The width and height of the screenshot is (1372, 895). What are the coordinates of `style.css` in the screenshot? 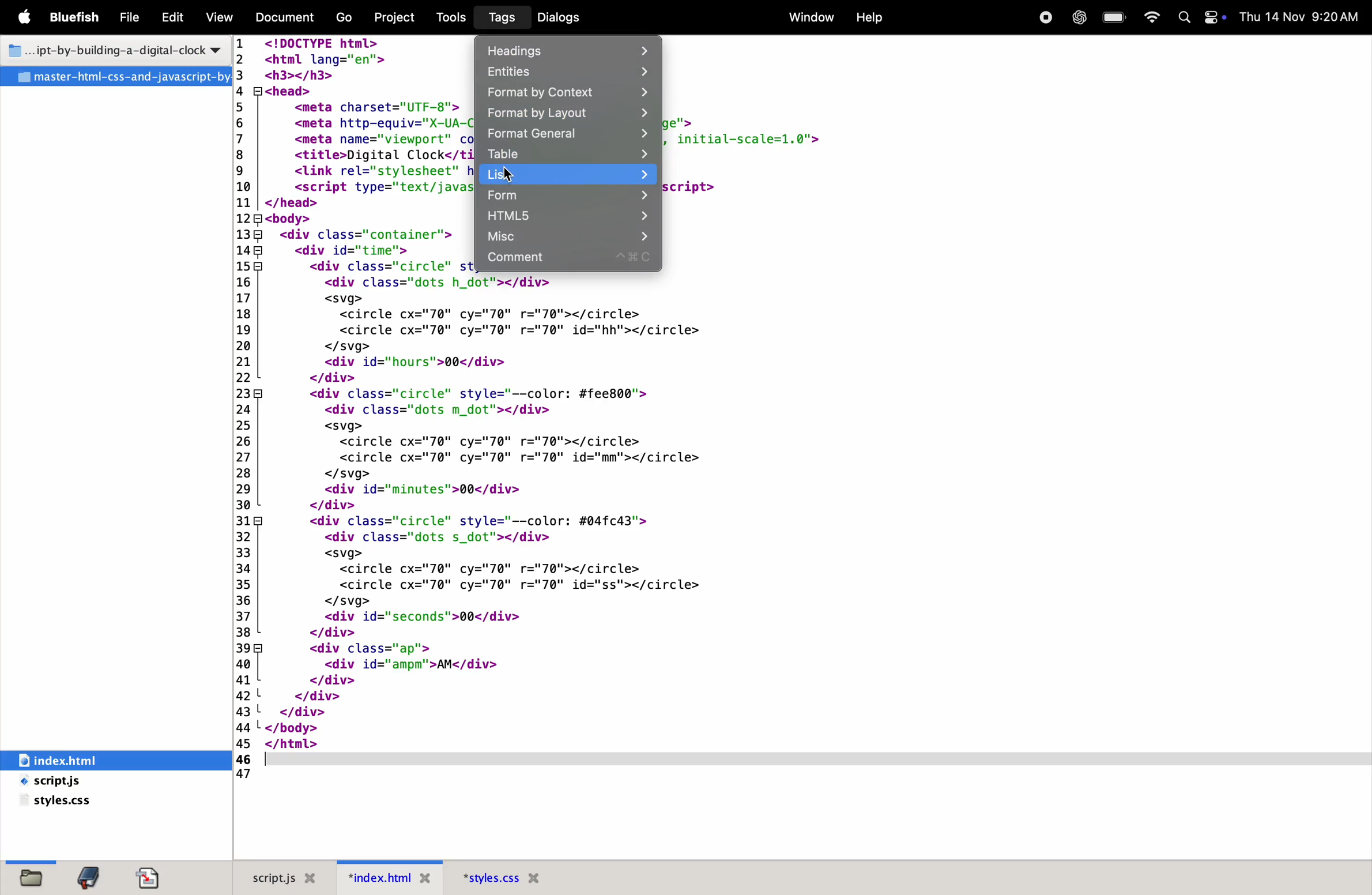 It's located at (61, 803).